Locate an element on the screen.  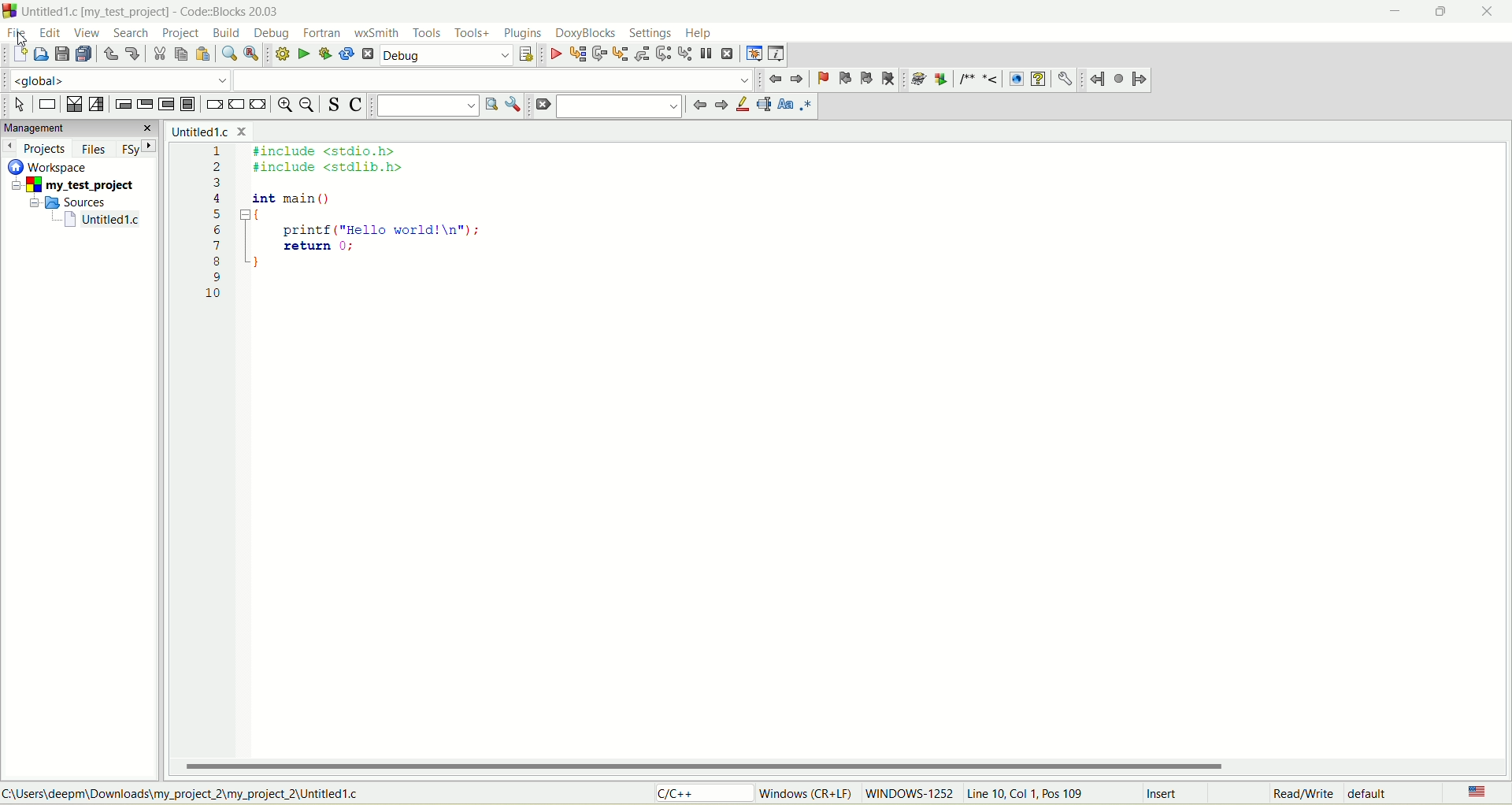
toggle bookmark is located at coordinates (821, 79).